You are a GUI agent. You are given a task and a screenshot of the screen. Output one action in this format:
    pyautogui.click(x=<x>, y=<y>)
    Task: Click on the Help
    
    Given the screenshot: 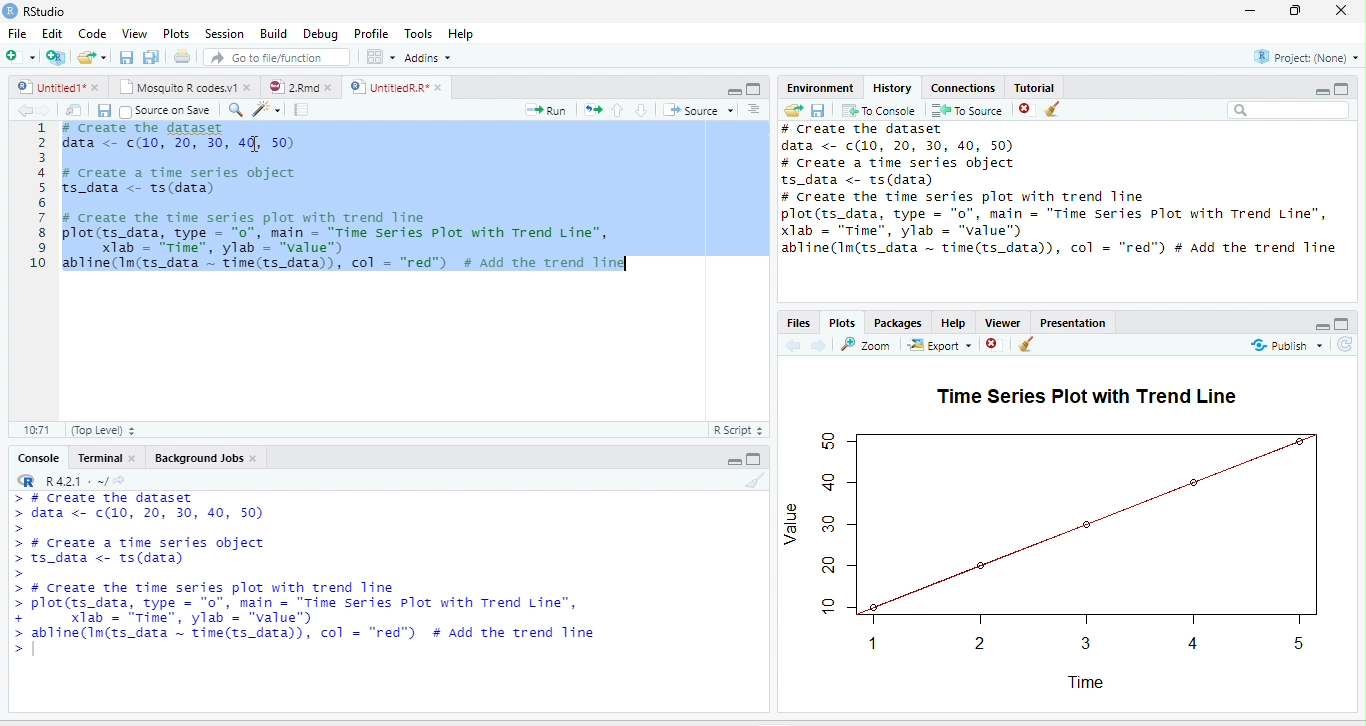 What is the action you would take?
    pyautogui.click(x=954, y=323)
    